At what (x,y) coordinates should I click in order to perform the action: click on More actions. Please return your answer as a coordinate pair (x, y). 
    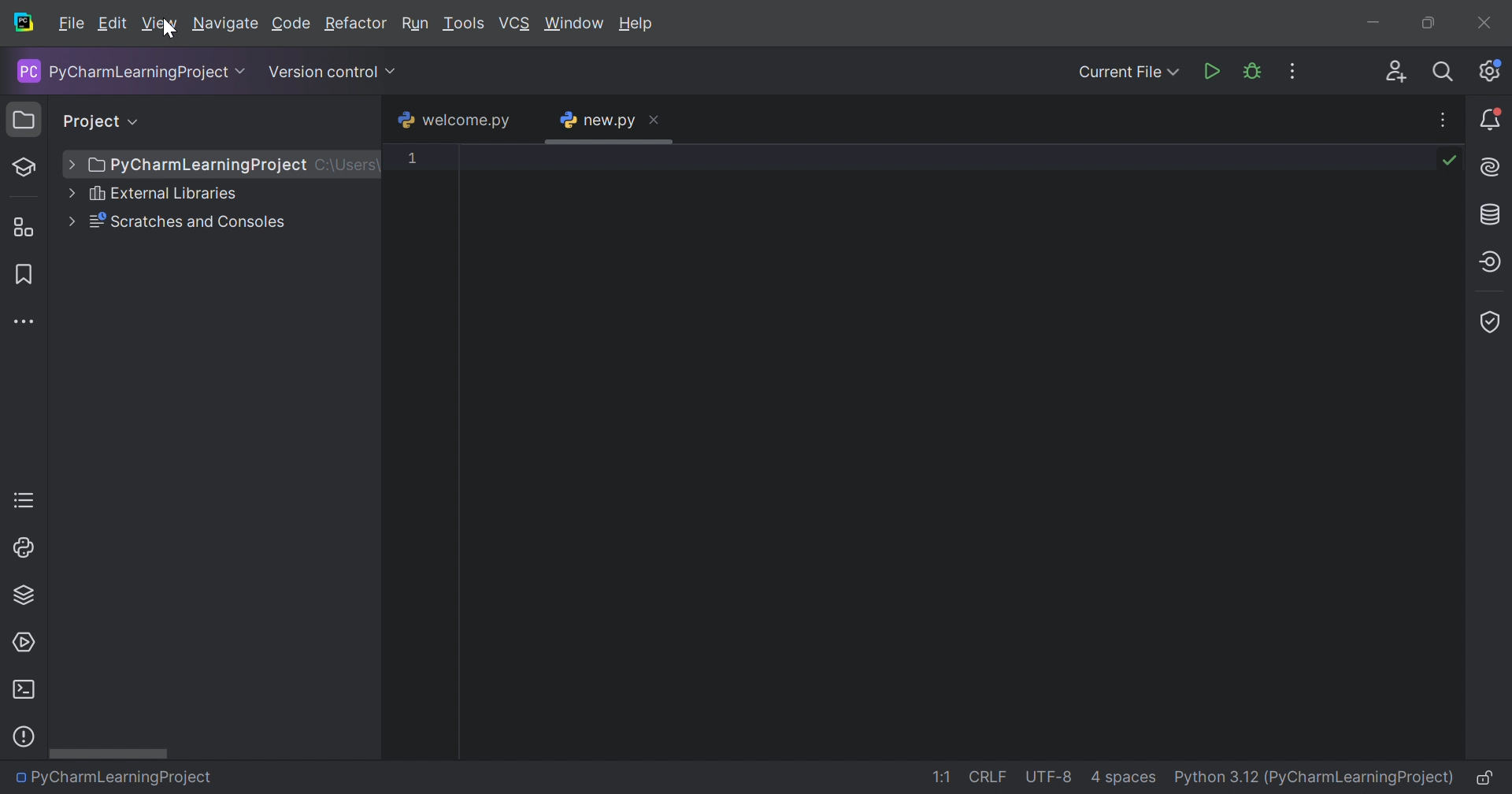
    Looking at the image, I should click on (1294, 70).